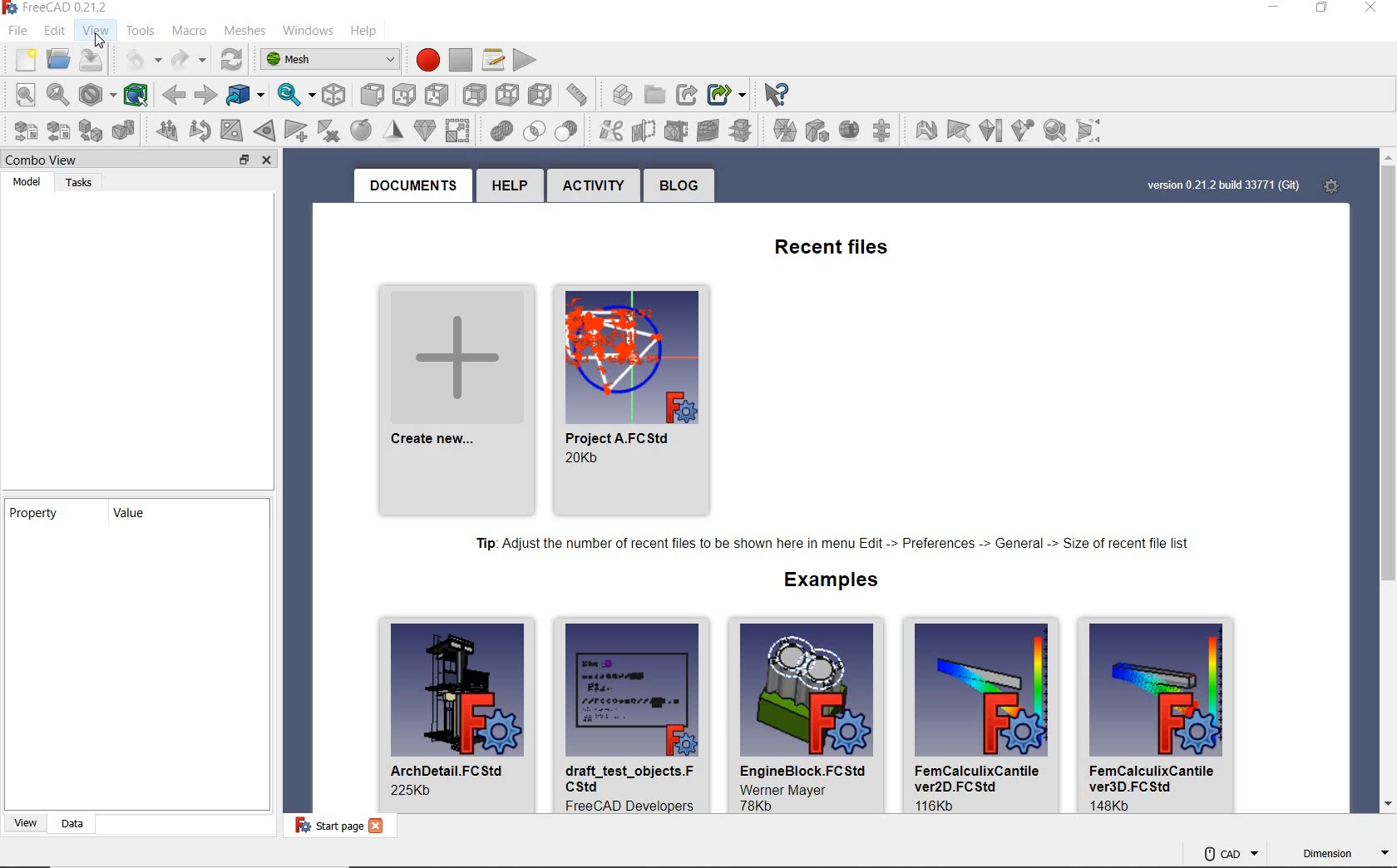 The width and height of the screenshot is (1397, 868). I want to click on what's this?, so click(728, 91).